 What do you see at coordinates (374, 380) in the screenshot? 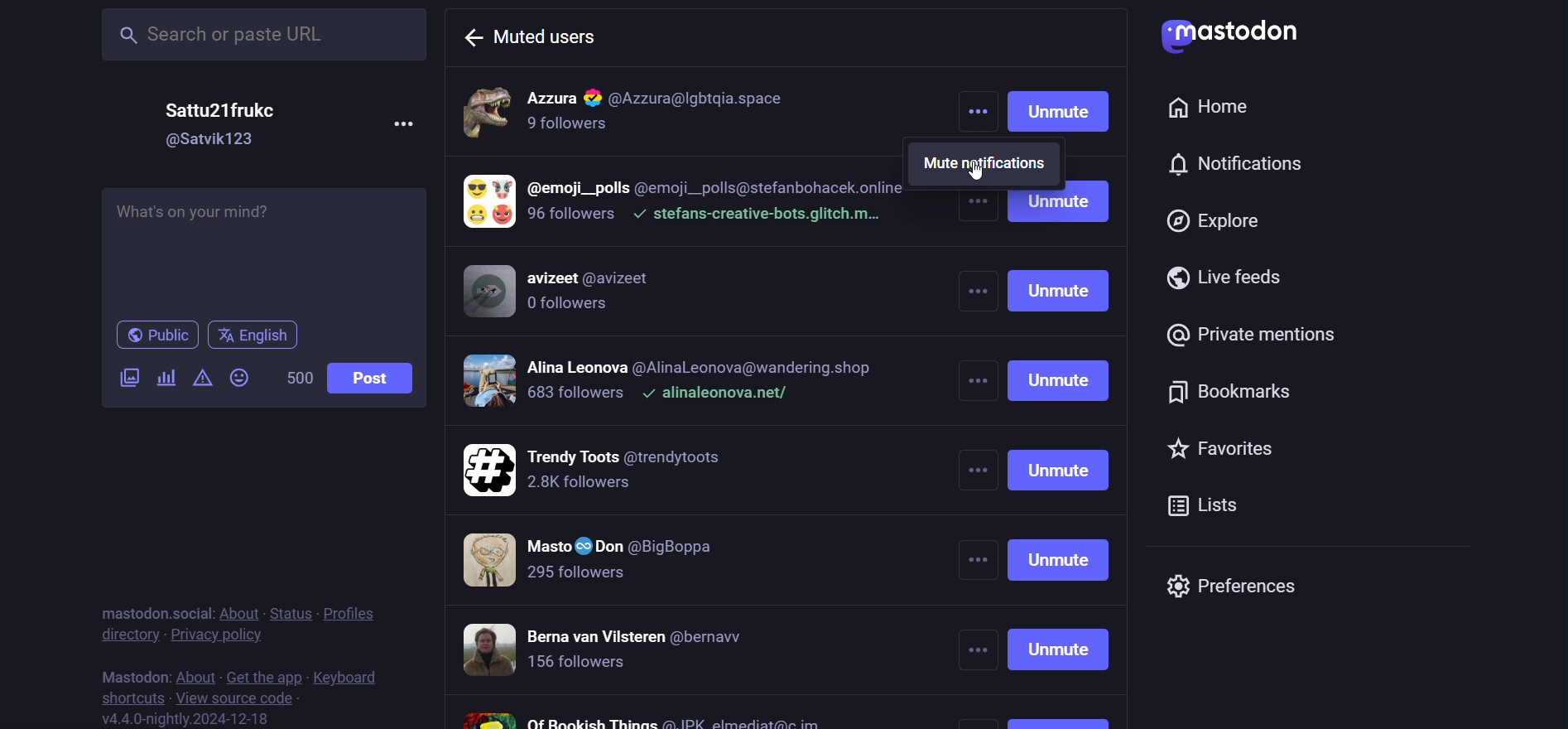
I see `post` at bounding box center [374, 380].